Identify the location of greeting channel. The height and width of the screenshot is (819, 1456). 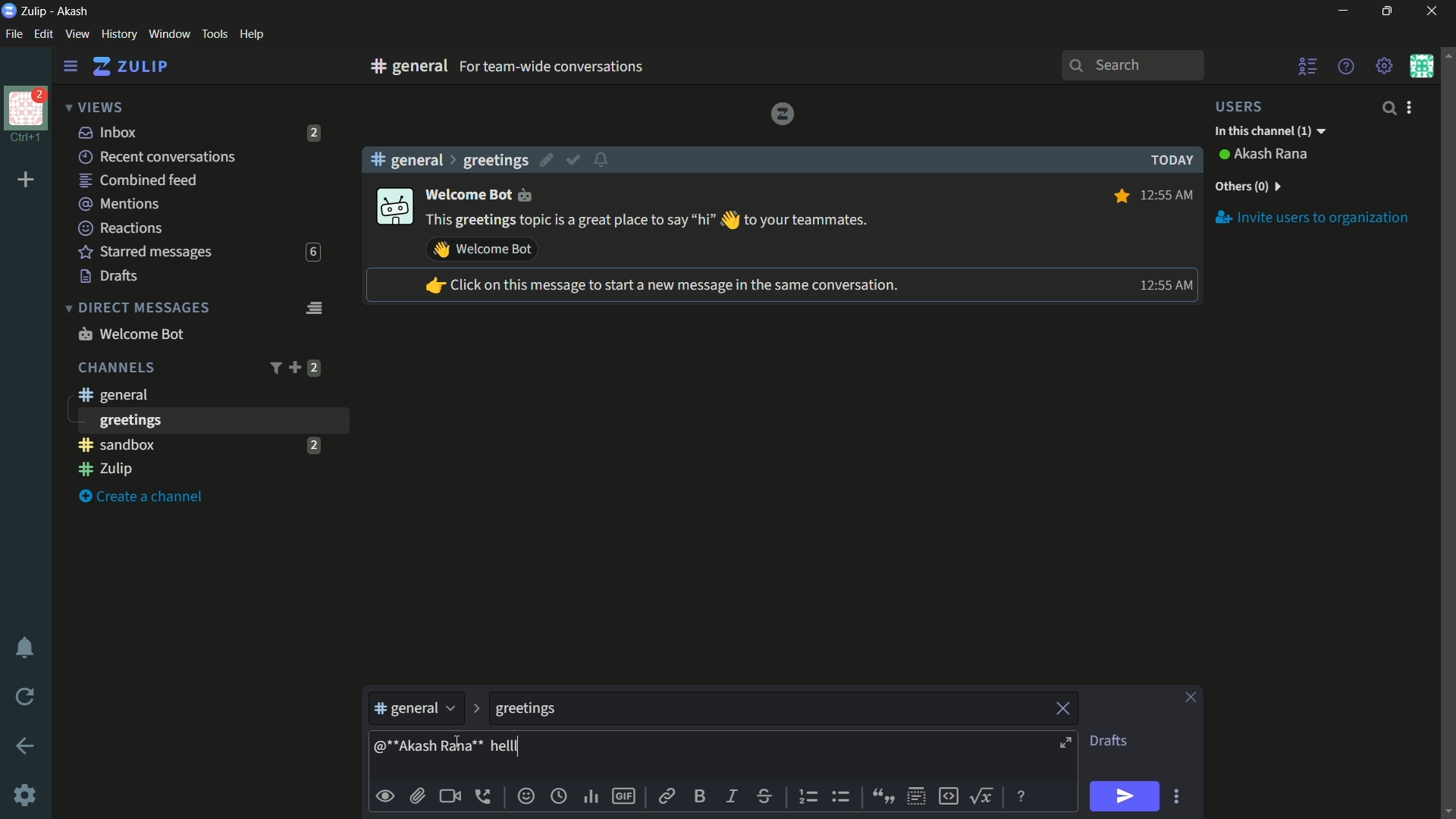
(212, 420).